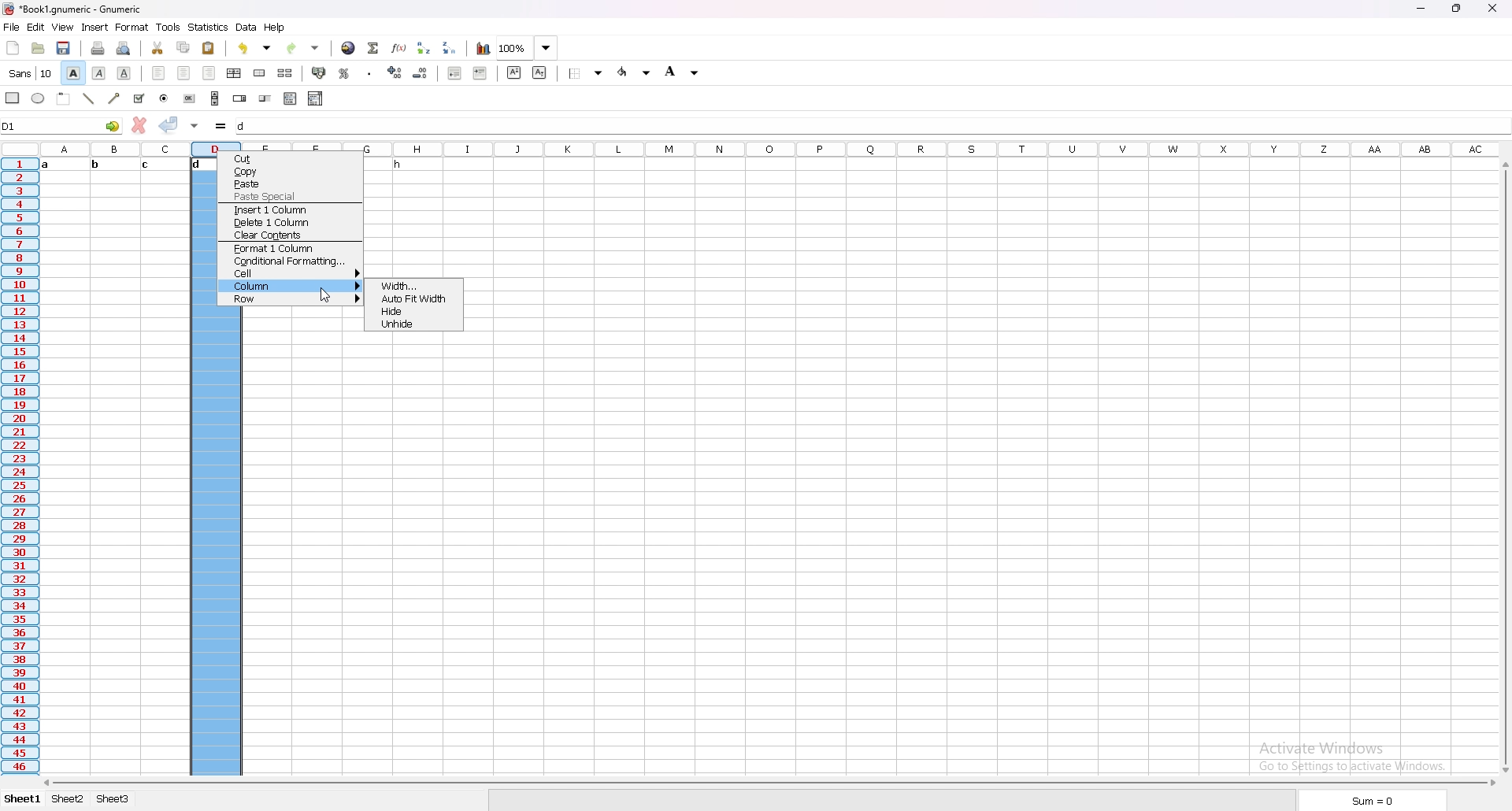 The width and height of the screenshot is (1512, 811). Describe the element at coordinates (291, 183) in the screenshot. I see `paste` at that location.